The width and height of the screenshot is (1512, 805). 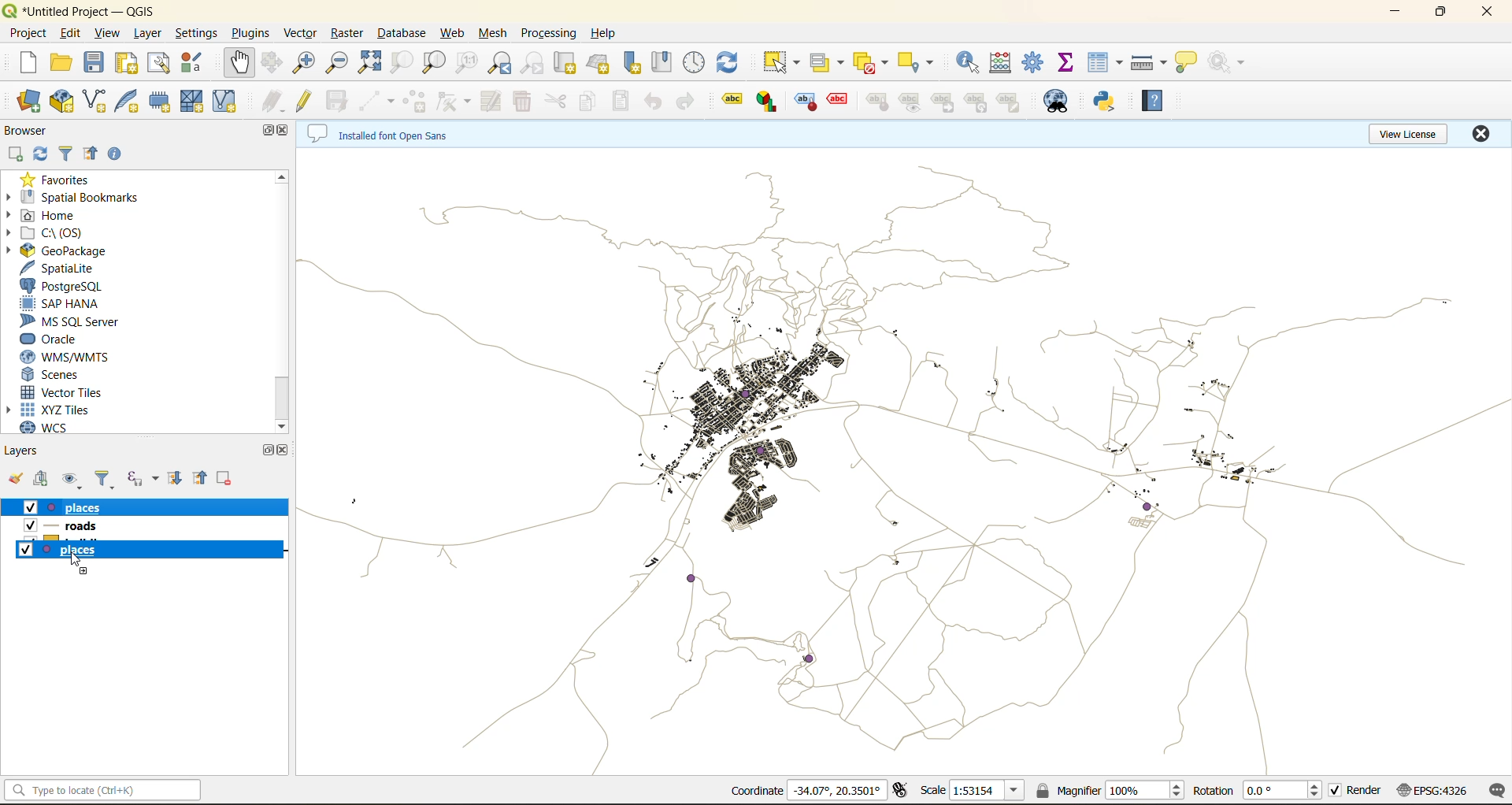 What do you see at coordinates (273, 65) in the screenshot?
I see `pan to selection` at bounding box center [273, 65].